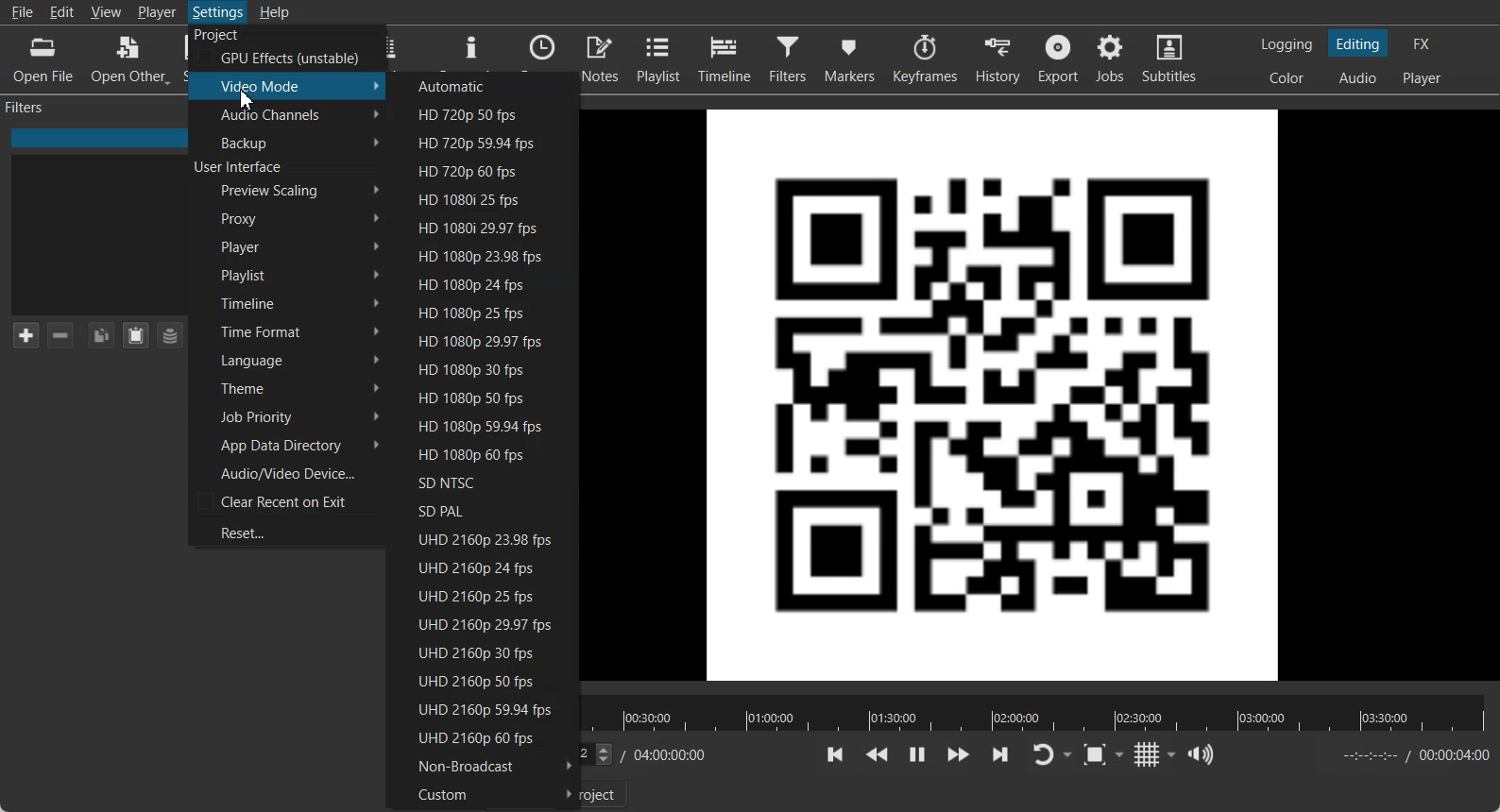 Image resolution: width=1500 pixels, height=812 pixels. I want to click on Filter, so click(788, 59).